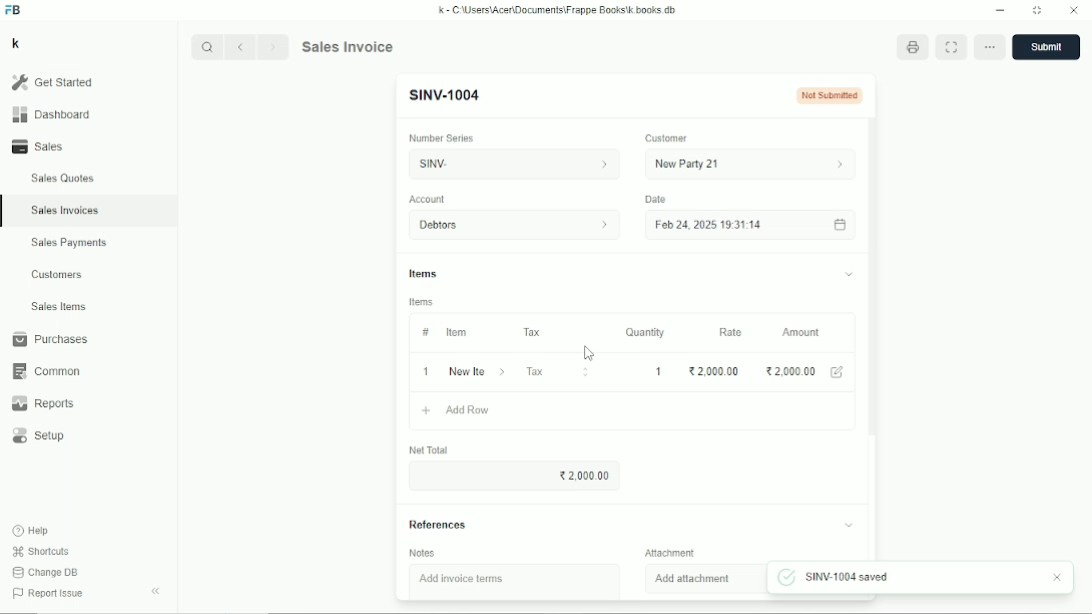 This screenshot has width=1092, height=614. Describe the element at coordinates (874, 283) in the screenshot. I see `Vertical scrollbar` at that location.